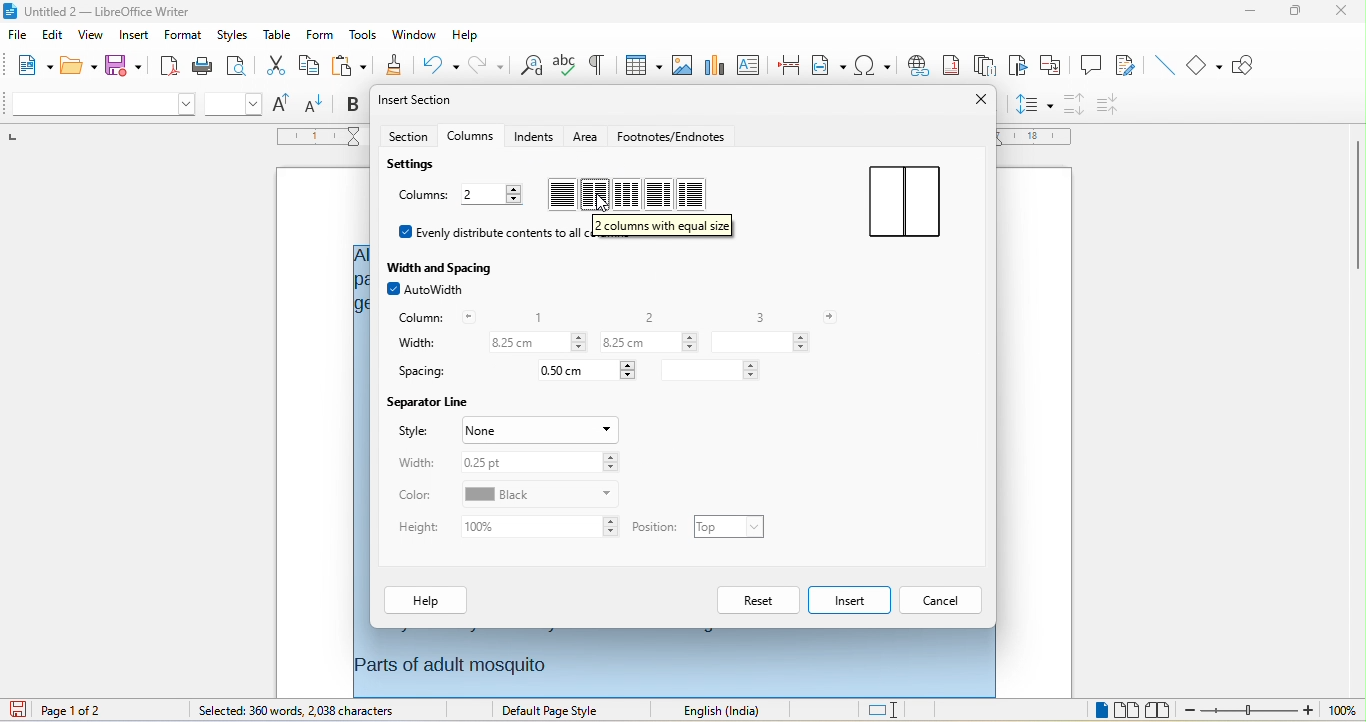 This screenshot has width=1366, height=722. What do you see at coordinates (417, 342) in the screenshot?
I see `width` at bounding box center [417, 342].